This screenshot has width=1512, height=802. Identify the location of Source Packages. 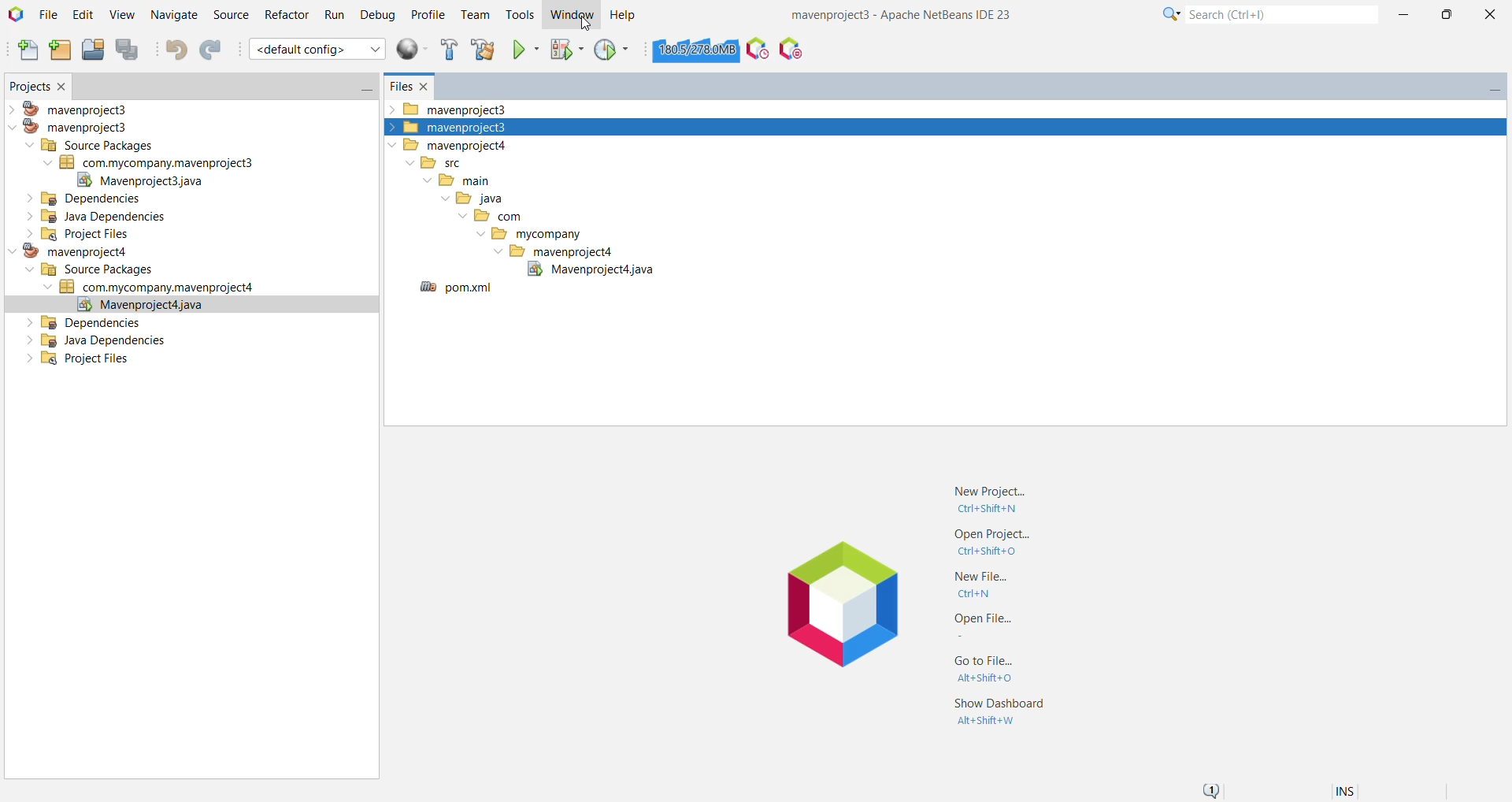
(90, 144).